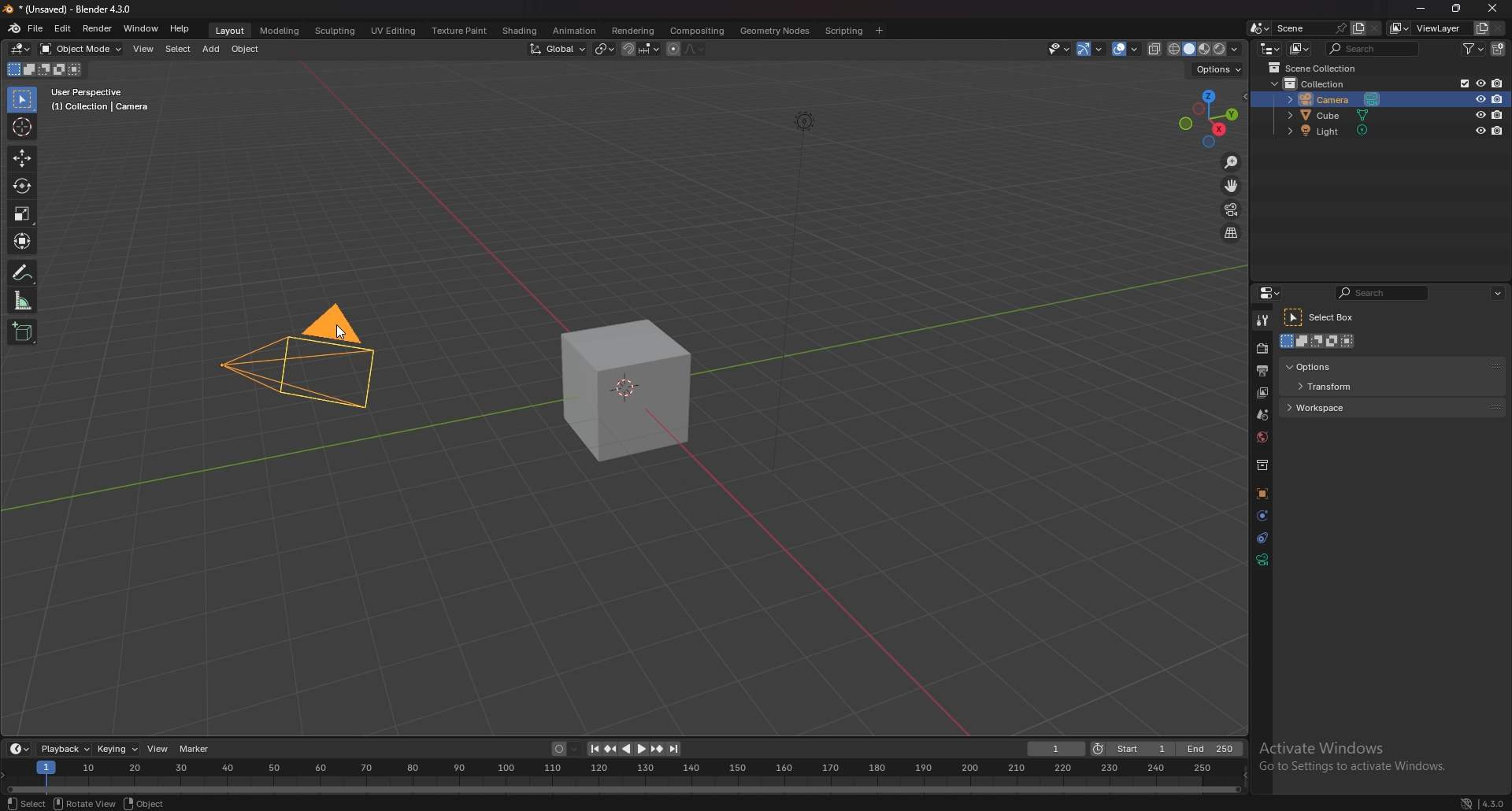  What do you see at coordinates (83, 803) in the screenshot?
I see `Rotate View` at bounding box center [83, 803].